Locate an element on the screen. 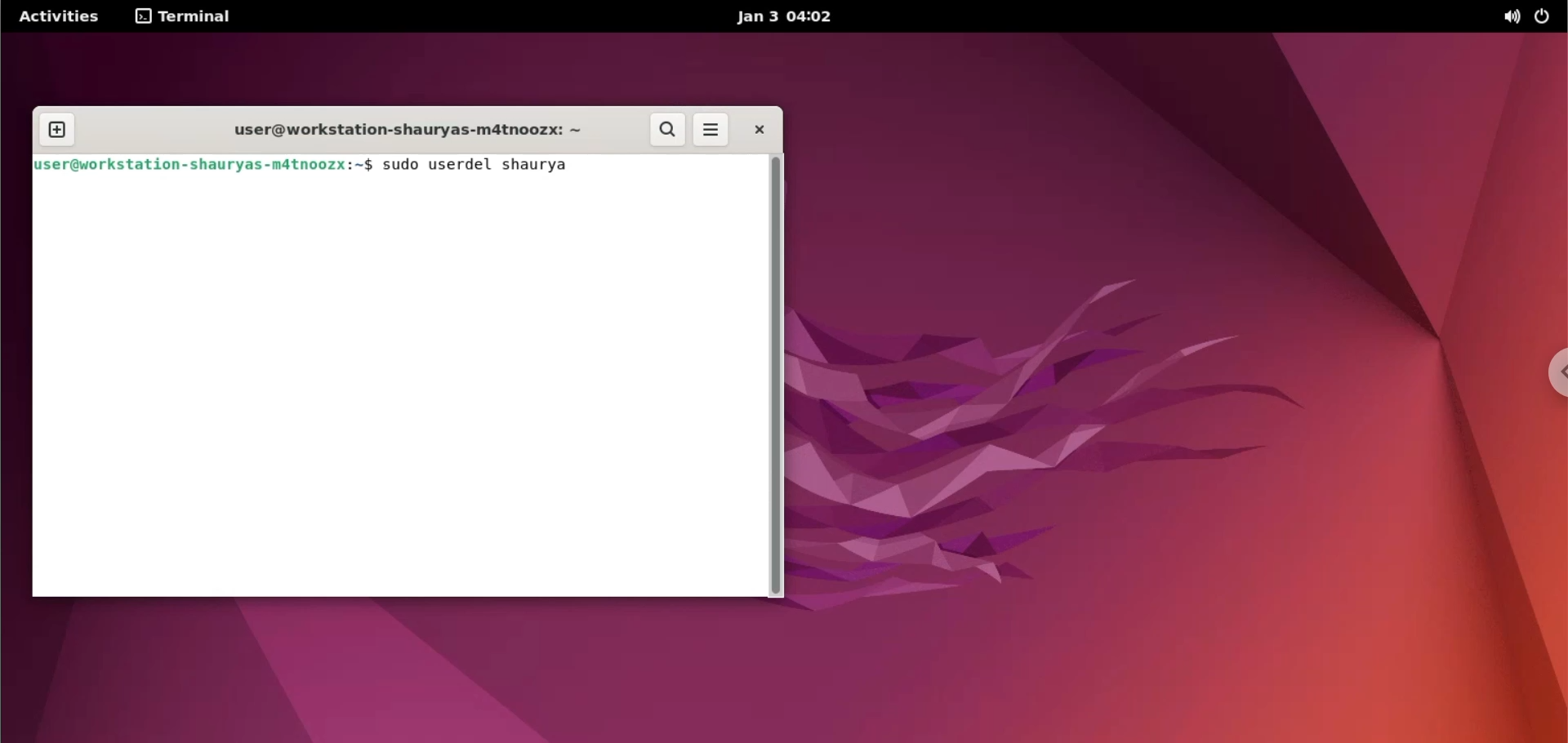  power options is located at coordinates (1547, 17).